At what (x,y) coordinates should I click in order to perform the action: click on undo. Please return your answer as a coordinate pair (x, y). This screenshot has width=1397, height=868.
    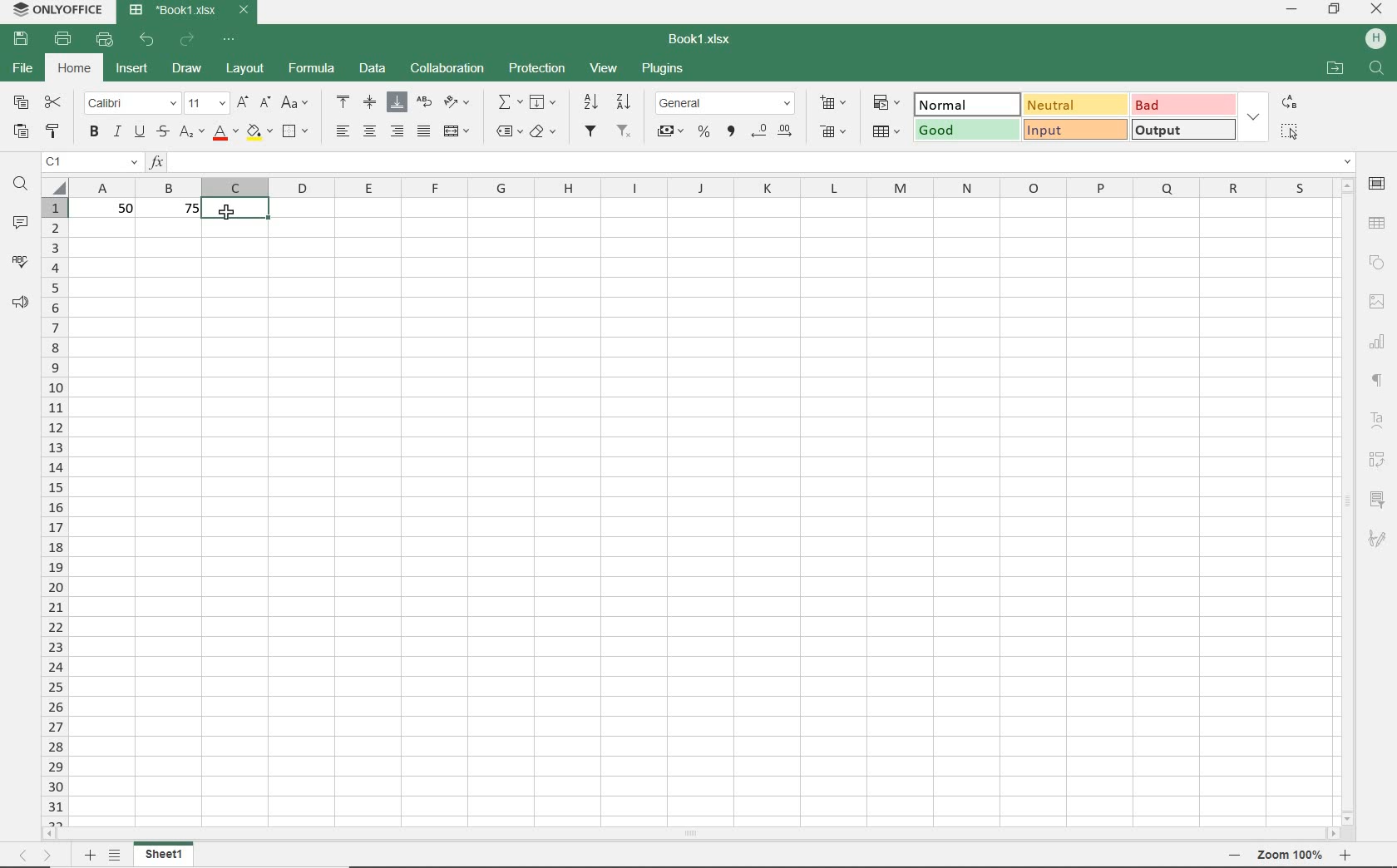
    Looking at the image, I should click on (147, 42).